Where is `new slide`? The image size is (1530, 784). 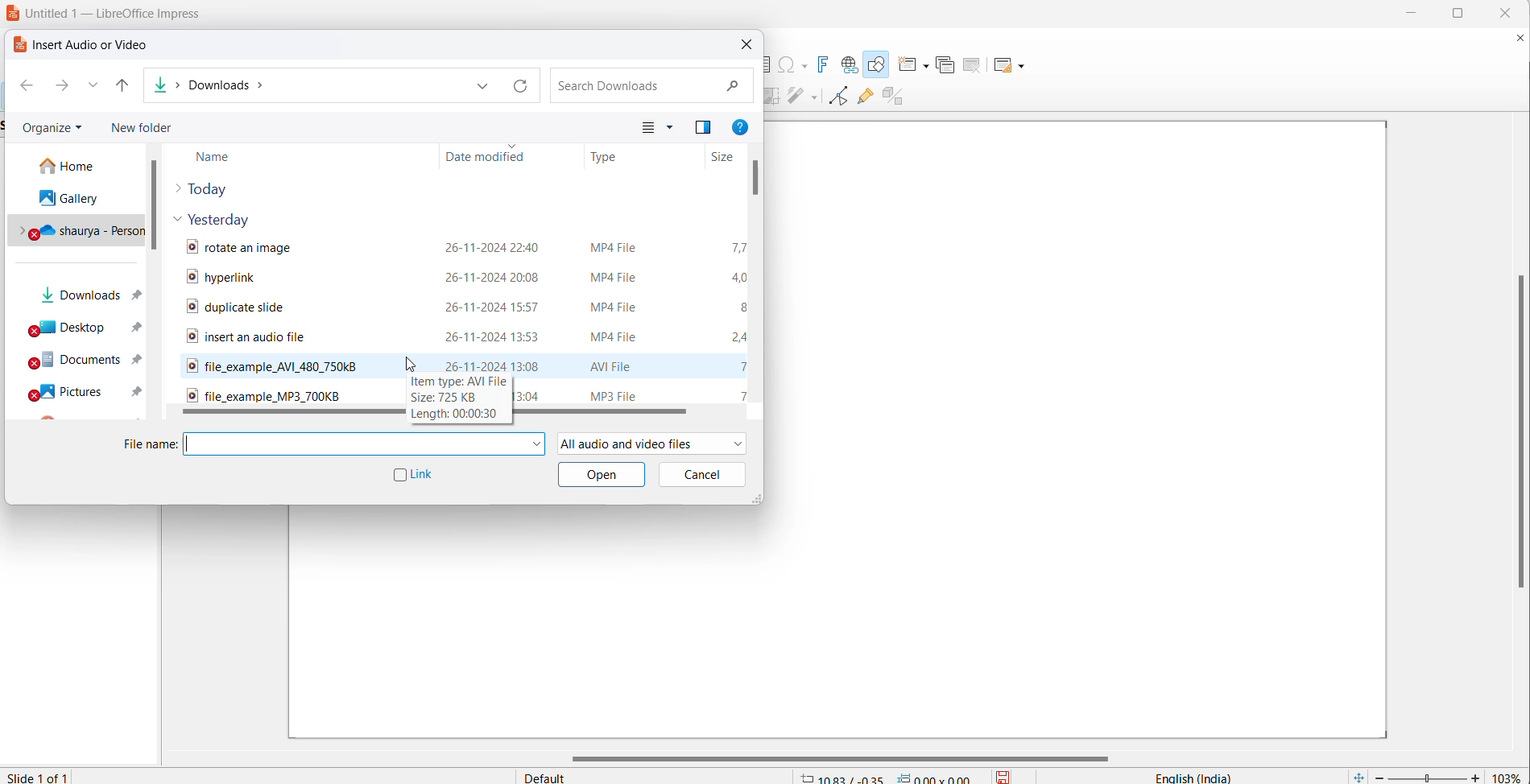
new slide is located at coordinates (906, 65).